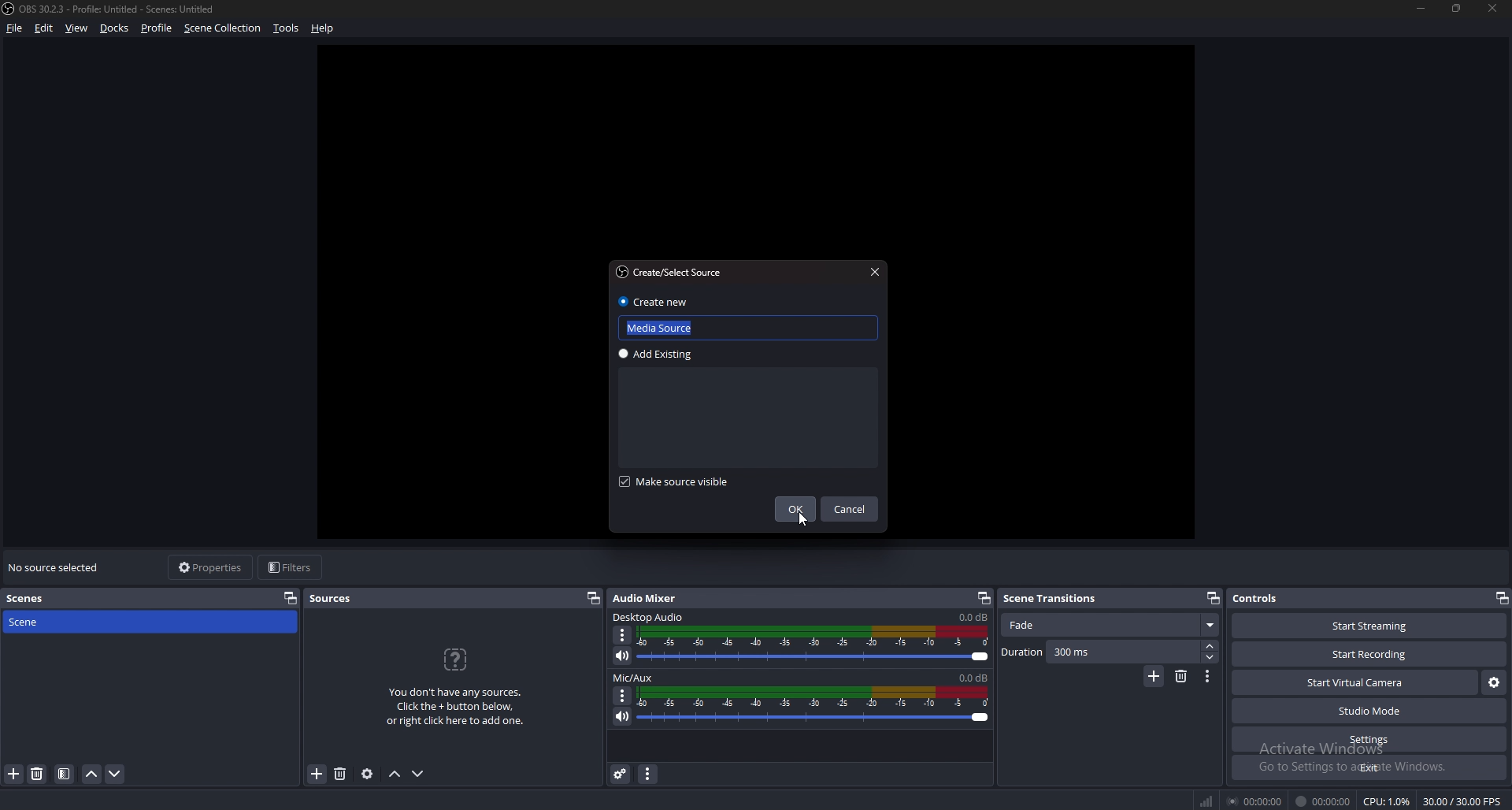 This screenshot has height=810, width=1512. Describe the element at coordinates (1211, 657) in the screenshot. I see `Decrease duration` at that location.